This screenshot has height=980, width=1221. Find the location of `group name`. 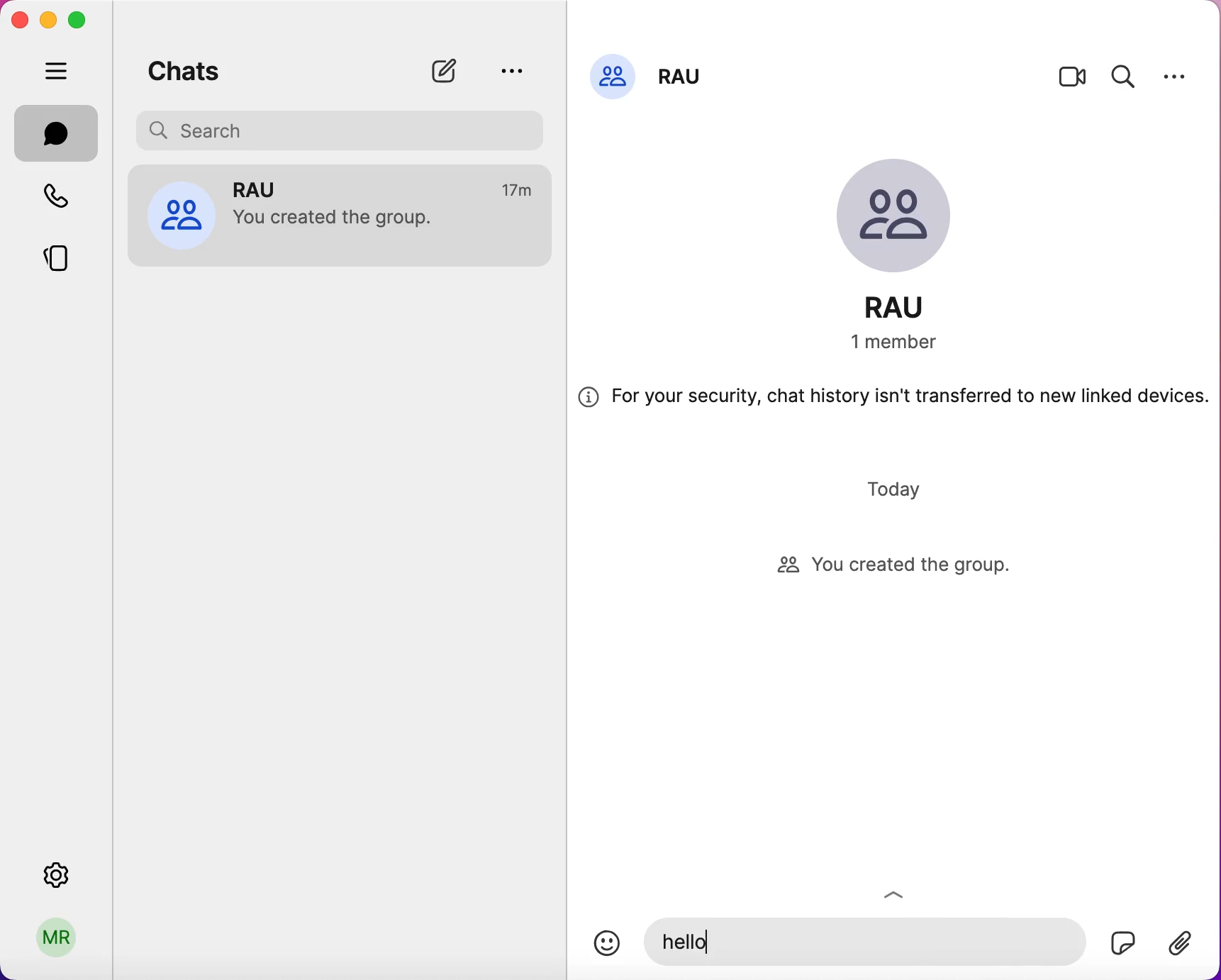

group name is located at coordinates (684, 72).